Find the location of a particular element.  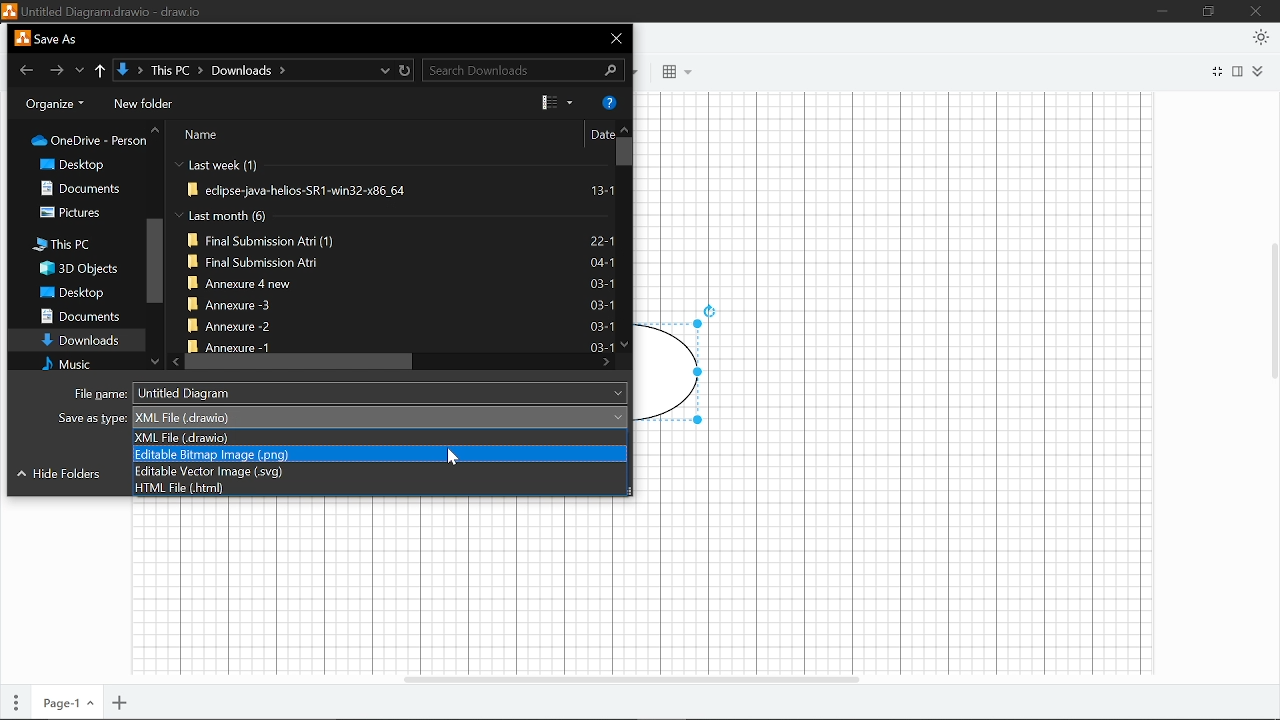

Save as XML file (.drawio) is located at coordinates (382, 437).